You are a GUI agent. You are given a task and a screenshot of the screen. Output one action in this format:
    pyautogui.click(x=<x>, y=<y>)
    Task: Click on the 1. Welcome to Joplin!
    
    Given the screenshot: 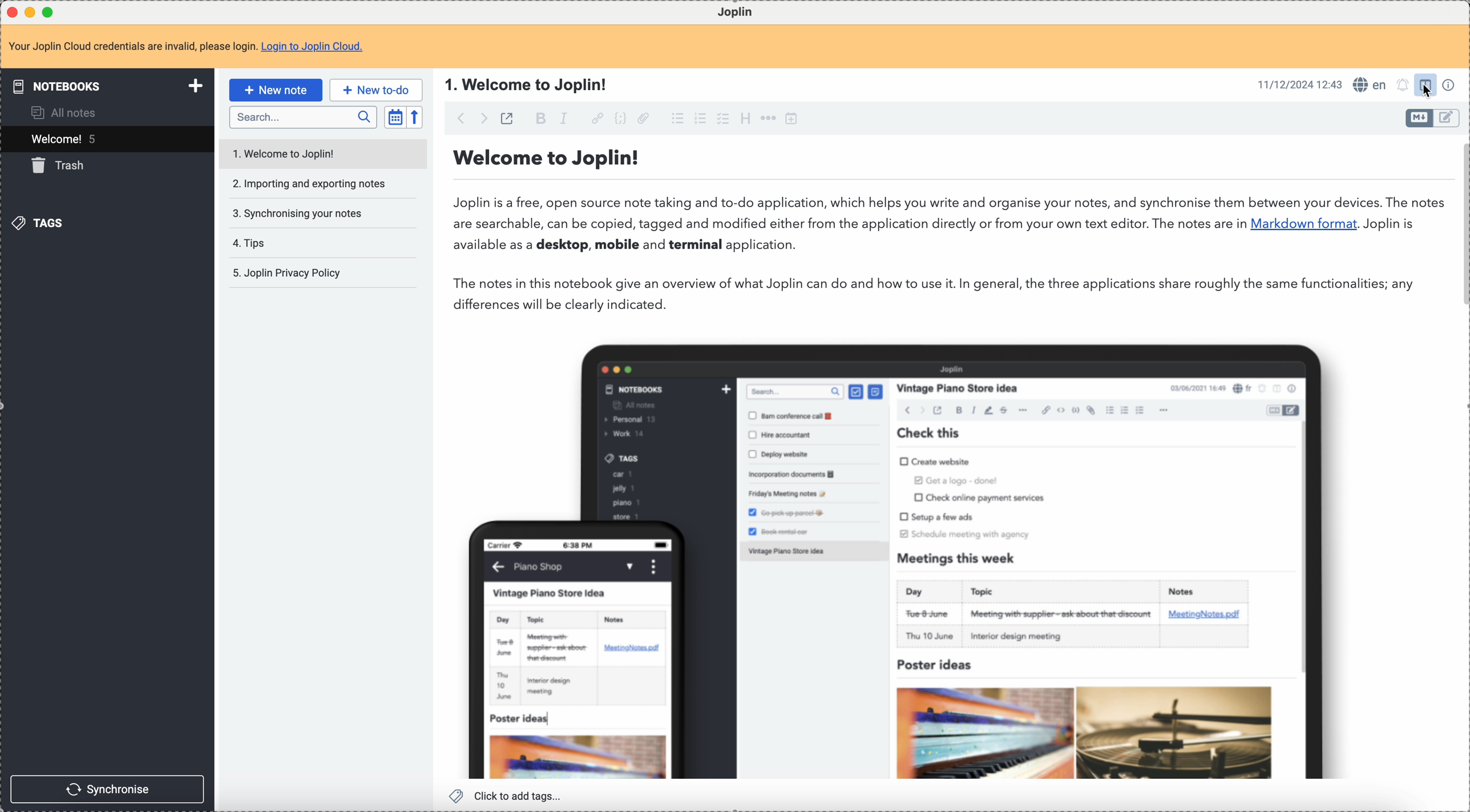 What is the action you would take?
    pyautogui.click(x=530, y=84)
    